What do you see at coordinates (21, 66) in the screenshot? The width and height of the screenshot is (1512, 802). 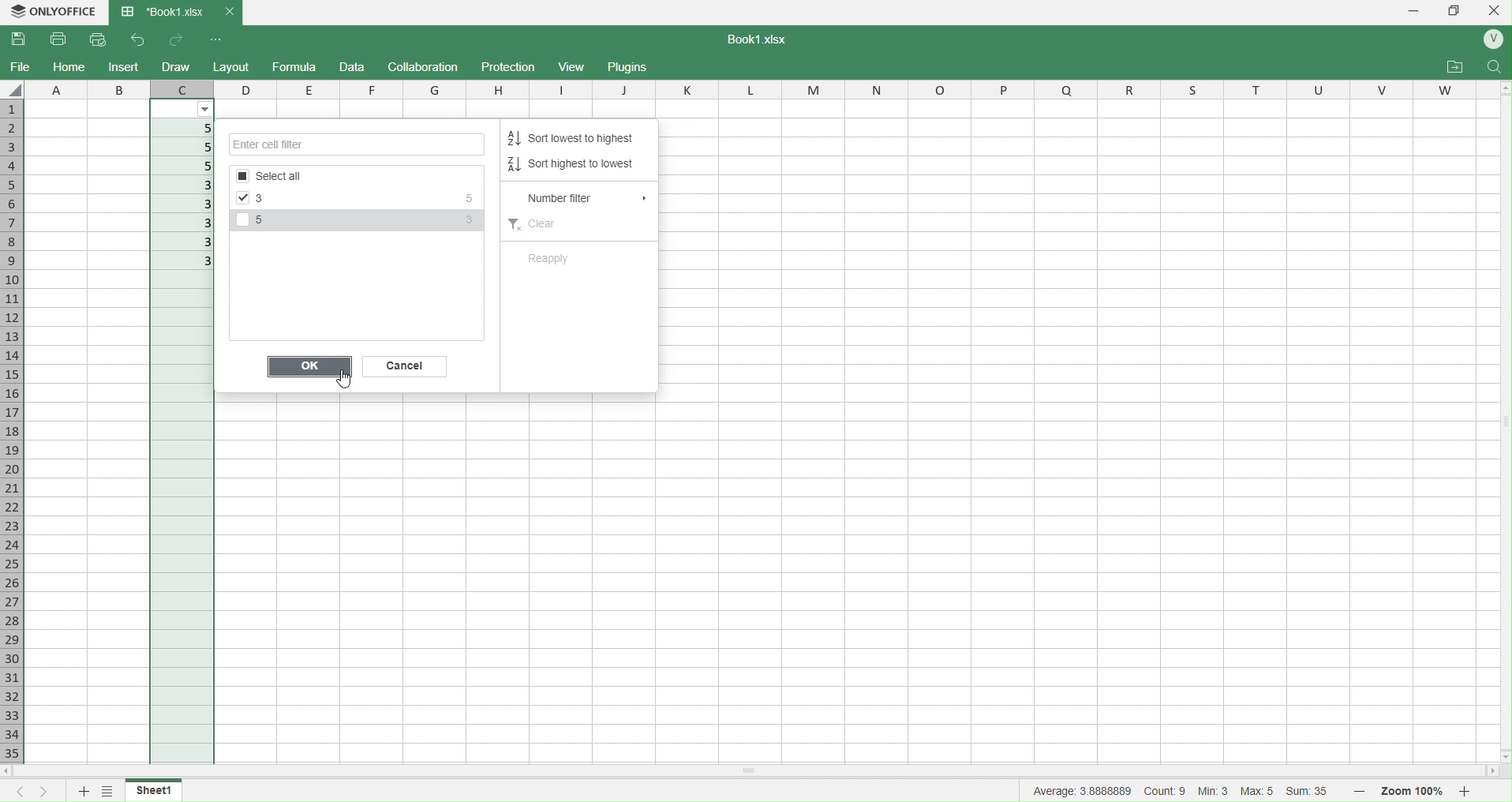 I see `File` at bounding box center [21, 66].